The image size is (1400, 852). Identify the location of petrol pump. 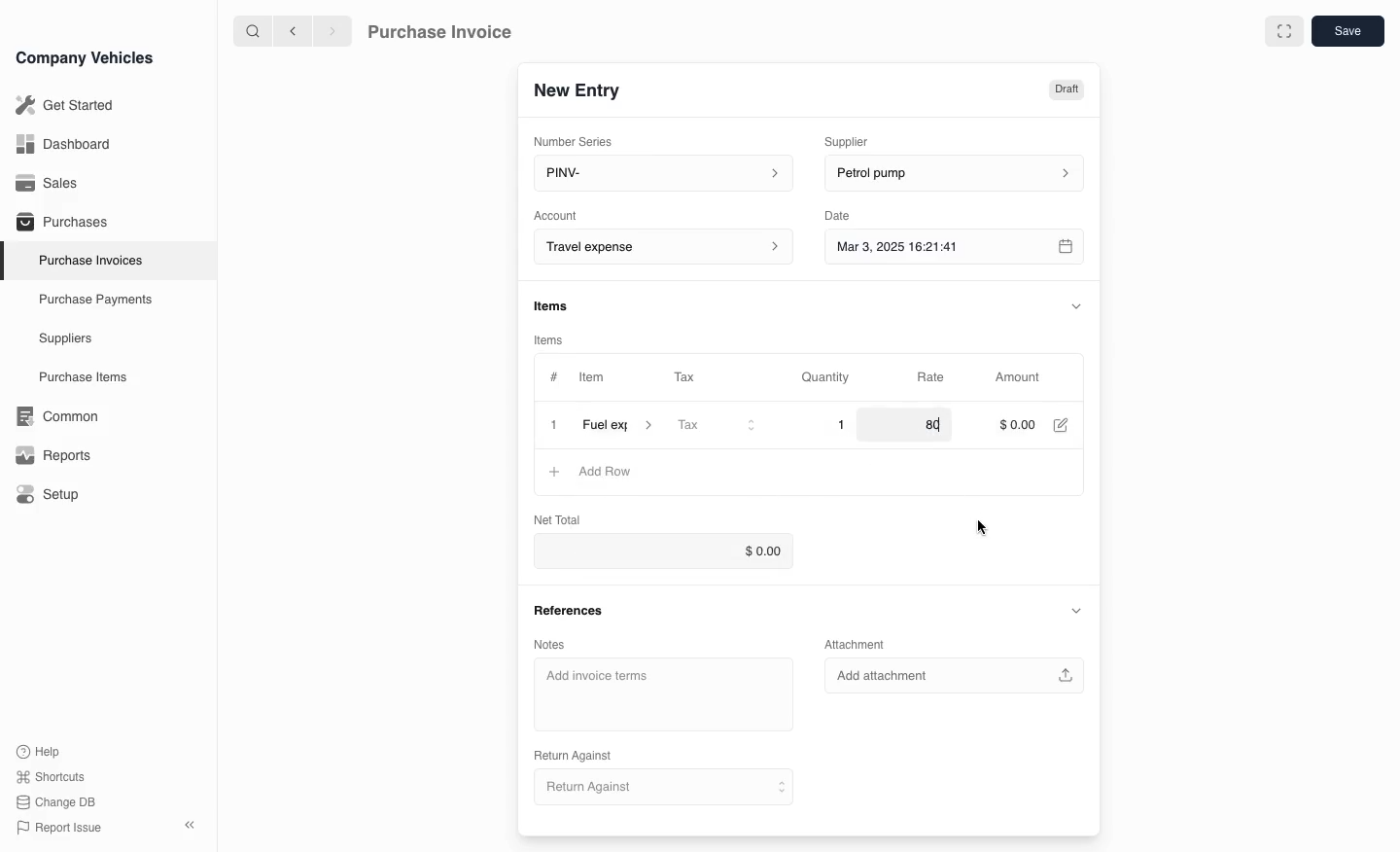
(951, 174).